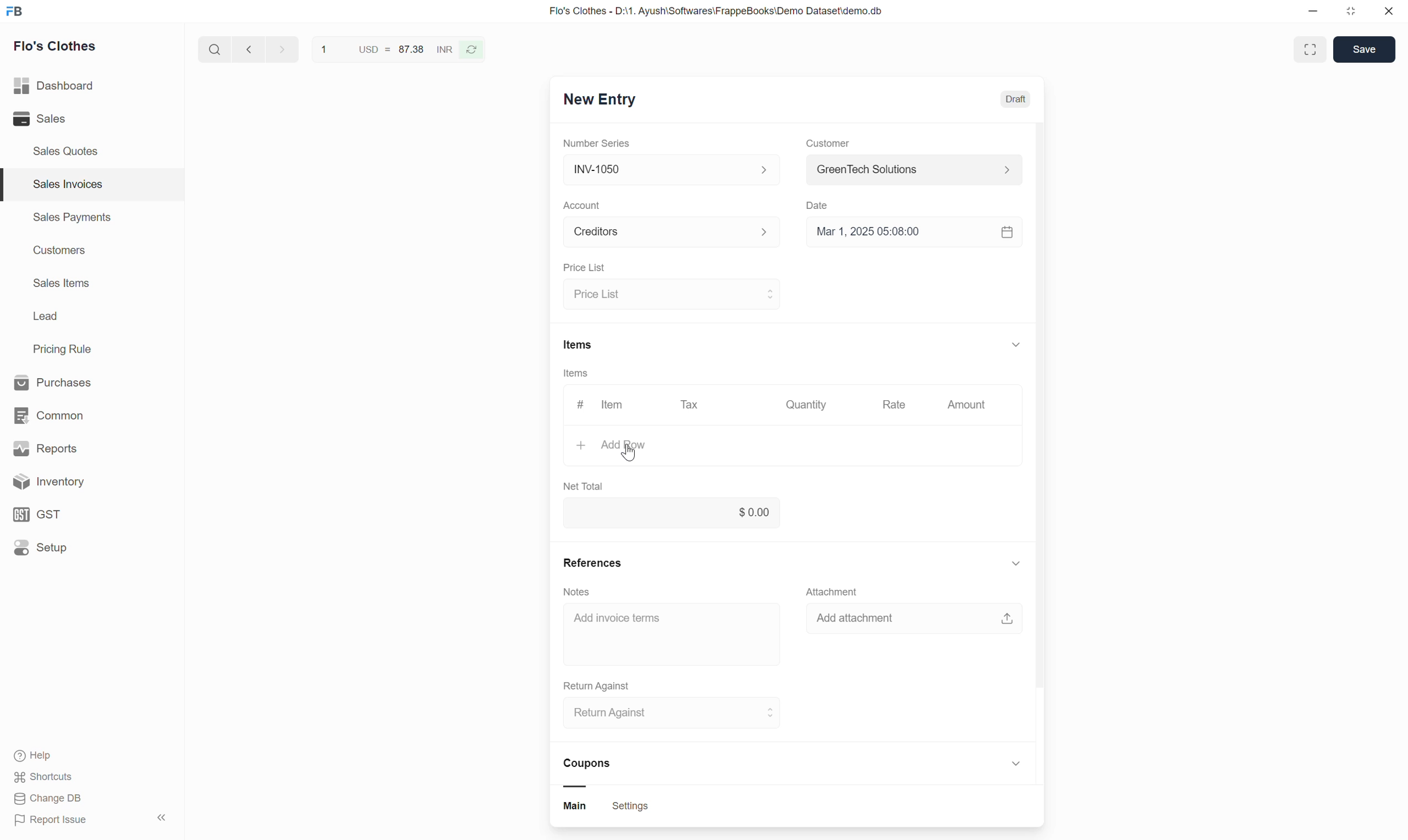 The width and height of the screenshot is (1408, 840). I want to click on #, so click(577, 405).